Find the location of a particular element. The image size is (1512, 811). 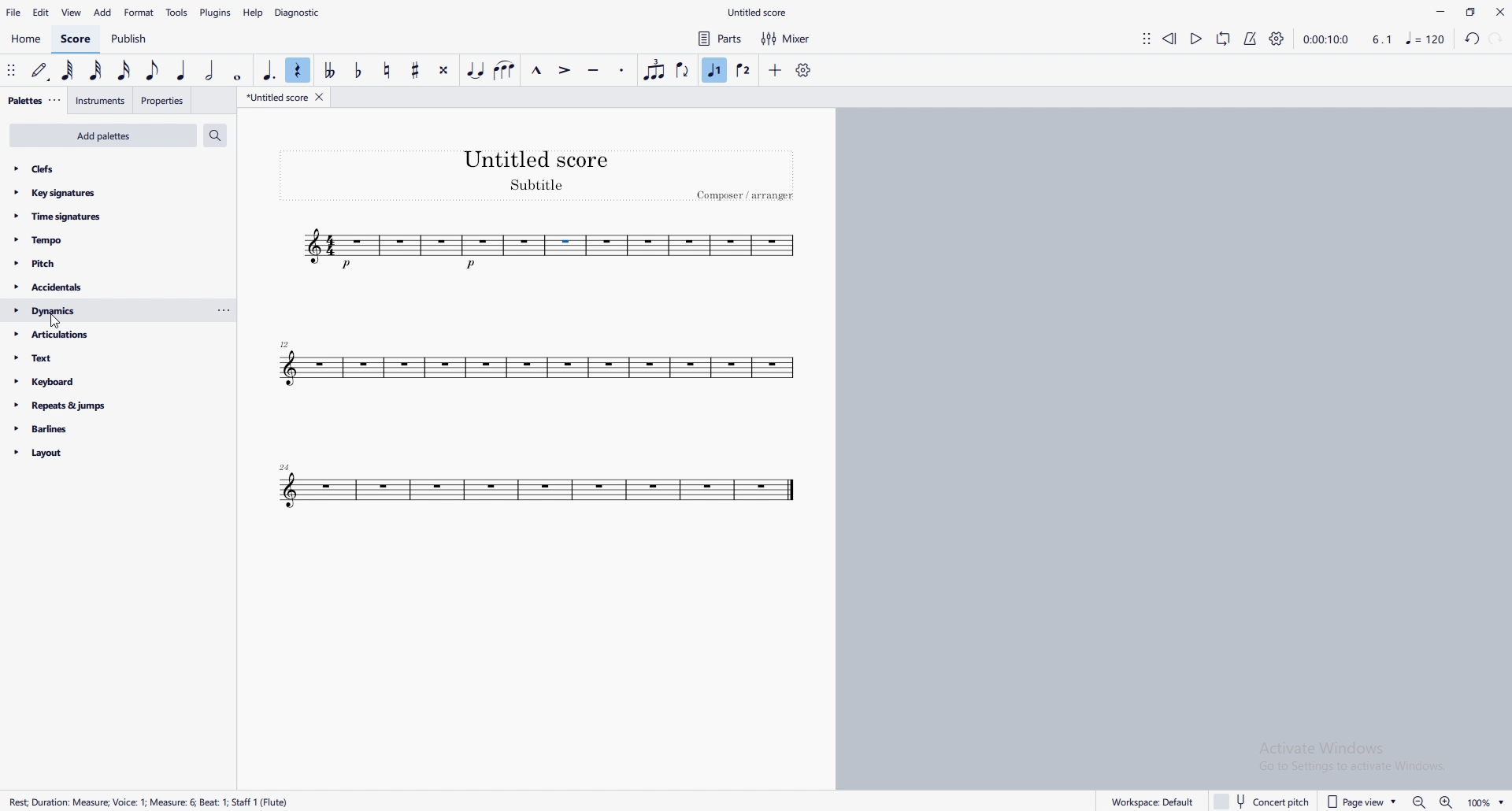

layout is located at coordinates (98, 454).